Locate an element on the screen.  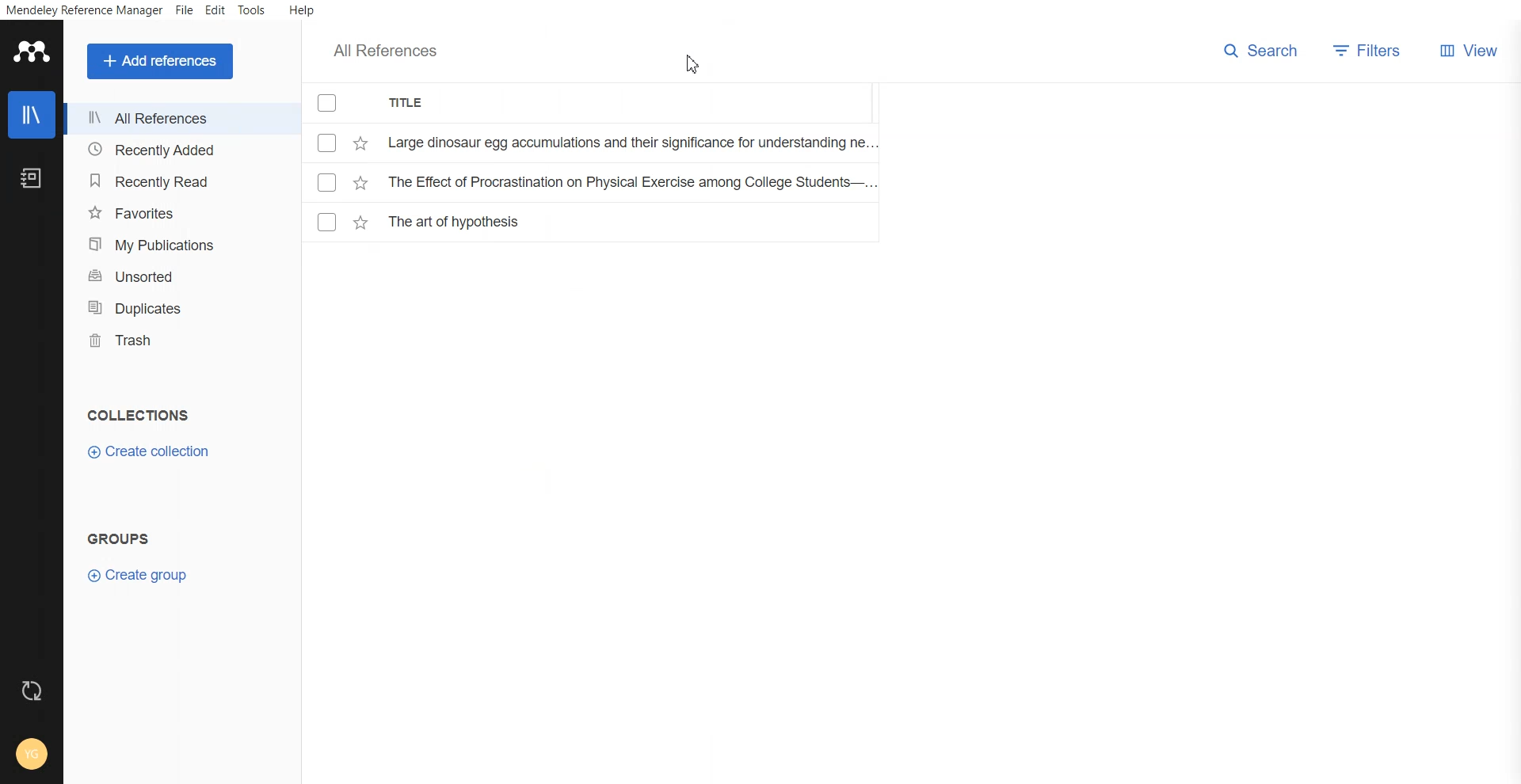
Text is located at coordinates (122, 539).